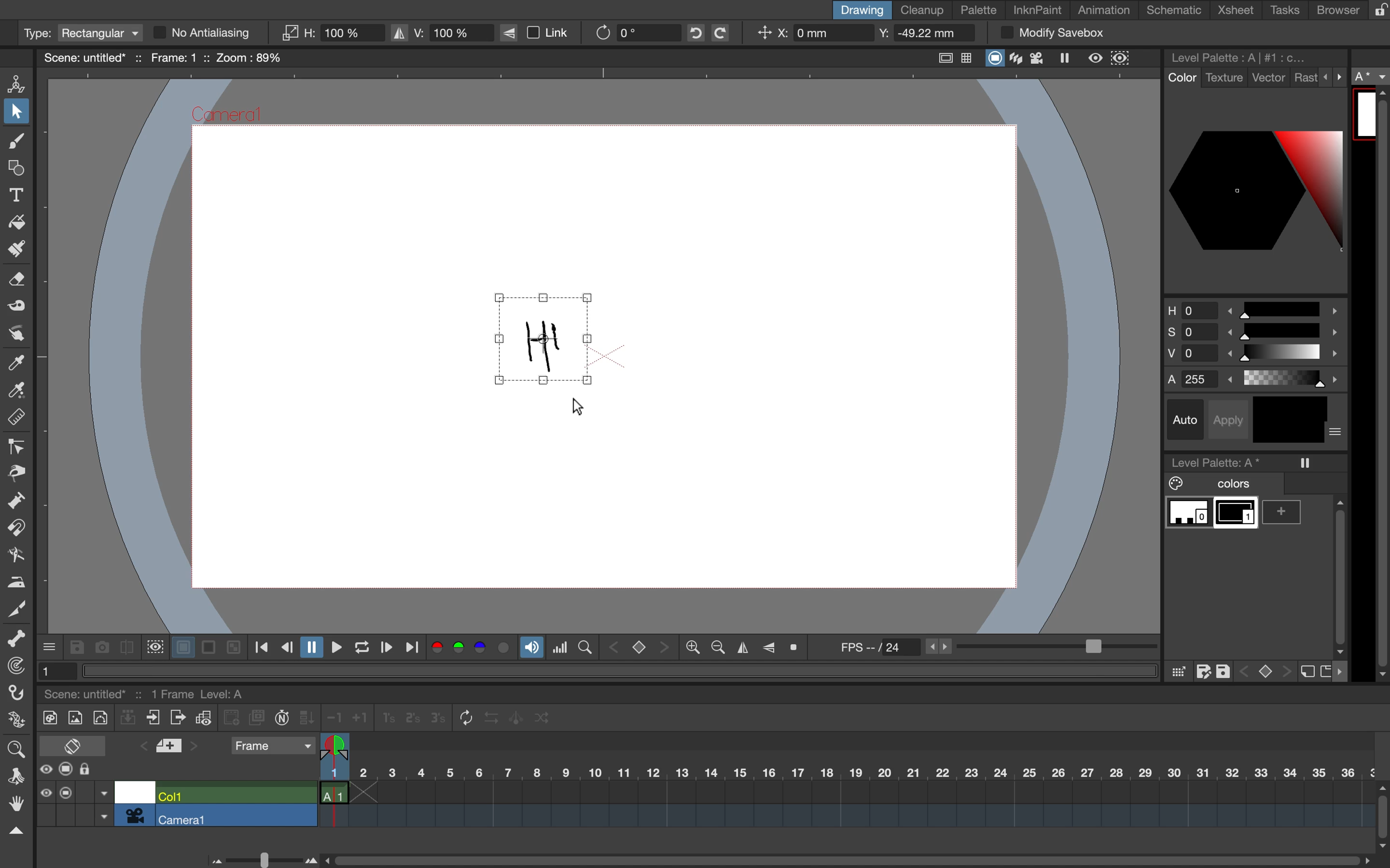 This screenshot has height=868, width=1390. I want to click on hue, so click(1253, 308).